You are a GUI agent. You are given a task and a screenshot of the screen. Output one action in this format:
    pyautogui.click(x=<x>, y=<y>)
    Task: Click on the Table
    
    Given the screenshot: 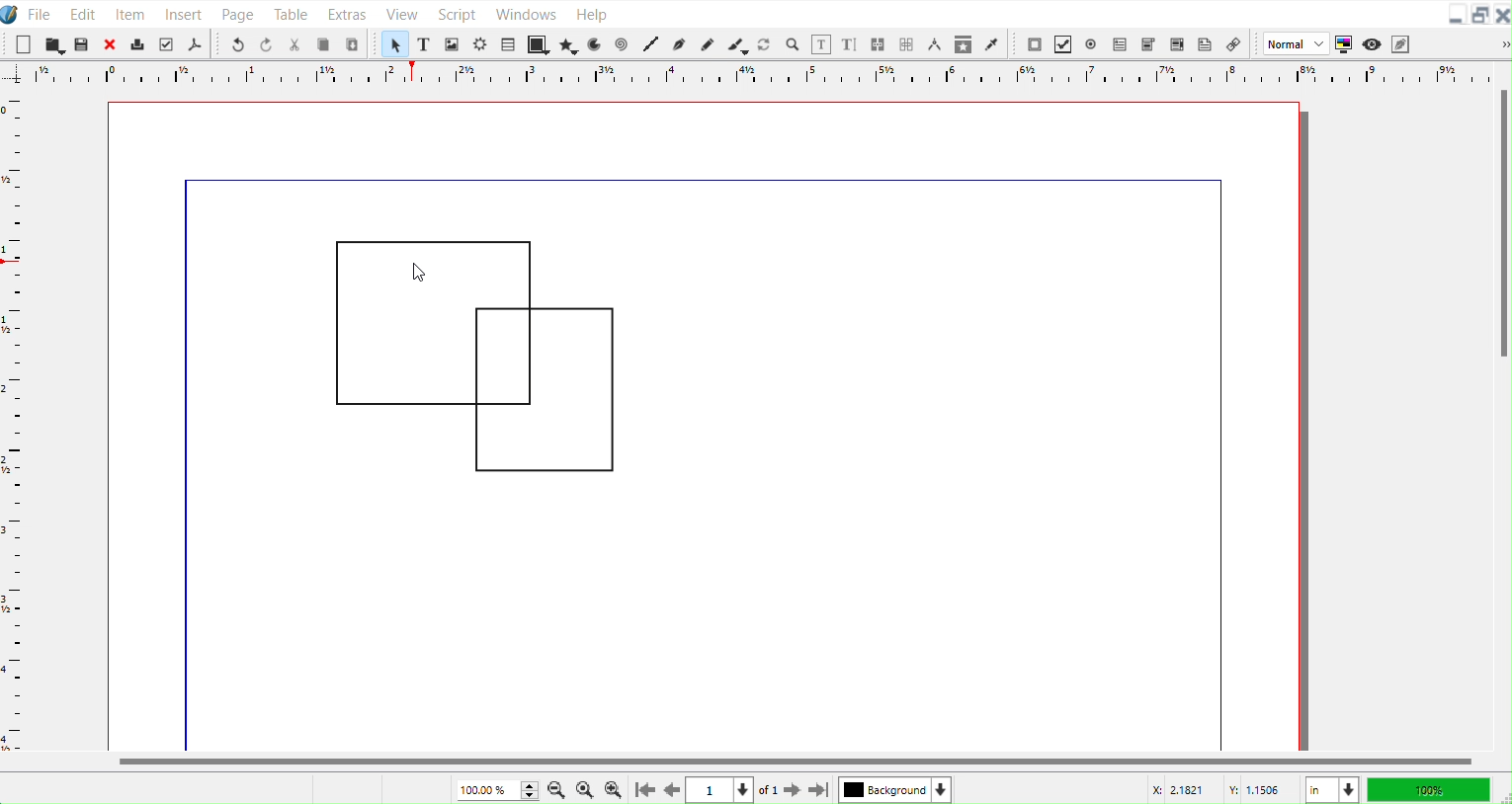 What is the action you would take?
    pyautogui.click(x=508, y=43)
    